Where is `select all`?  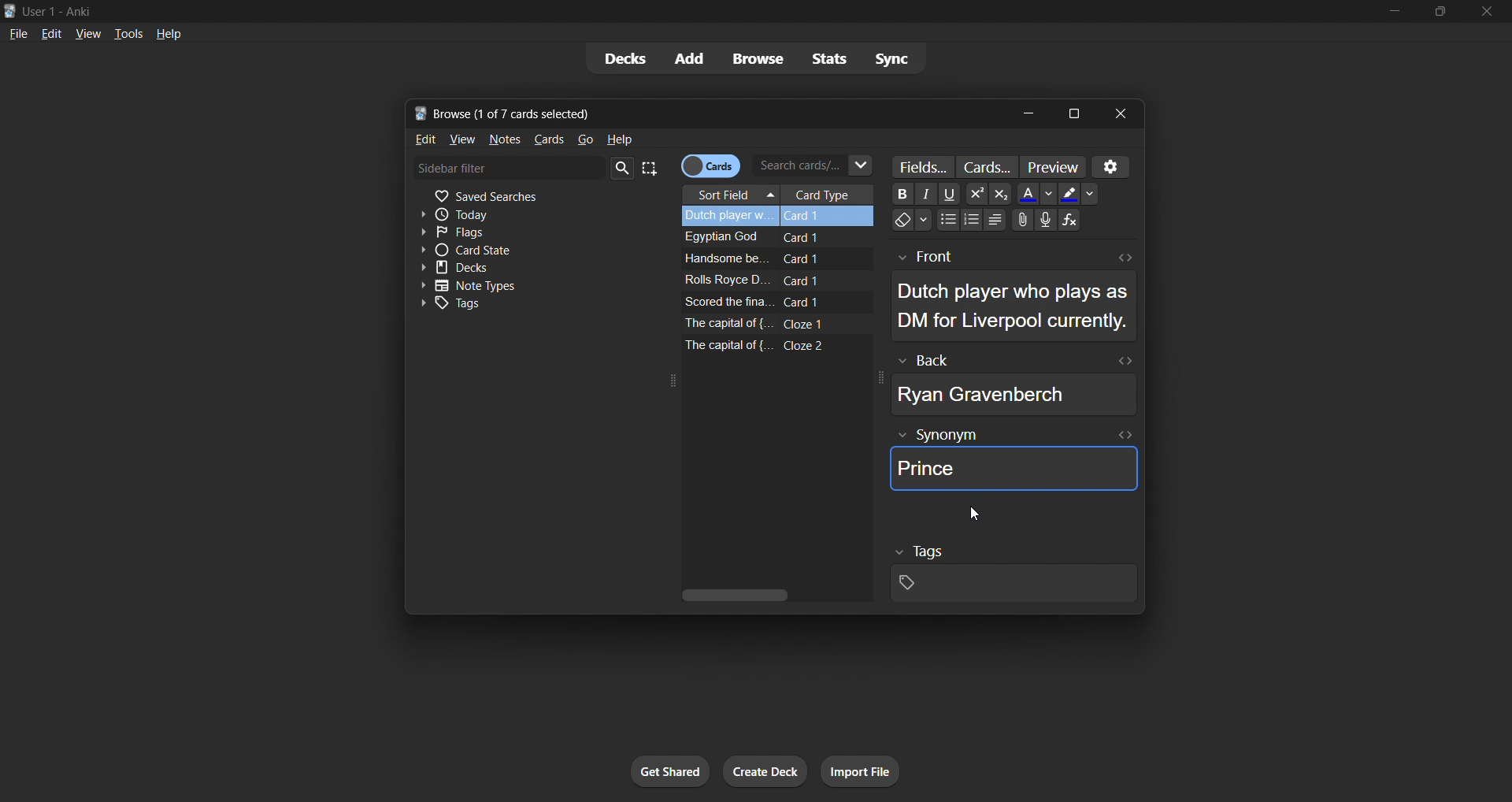
select all is located at coordinates (647, 170).